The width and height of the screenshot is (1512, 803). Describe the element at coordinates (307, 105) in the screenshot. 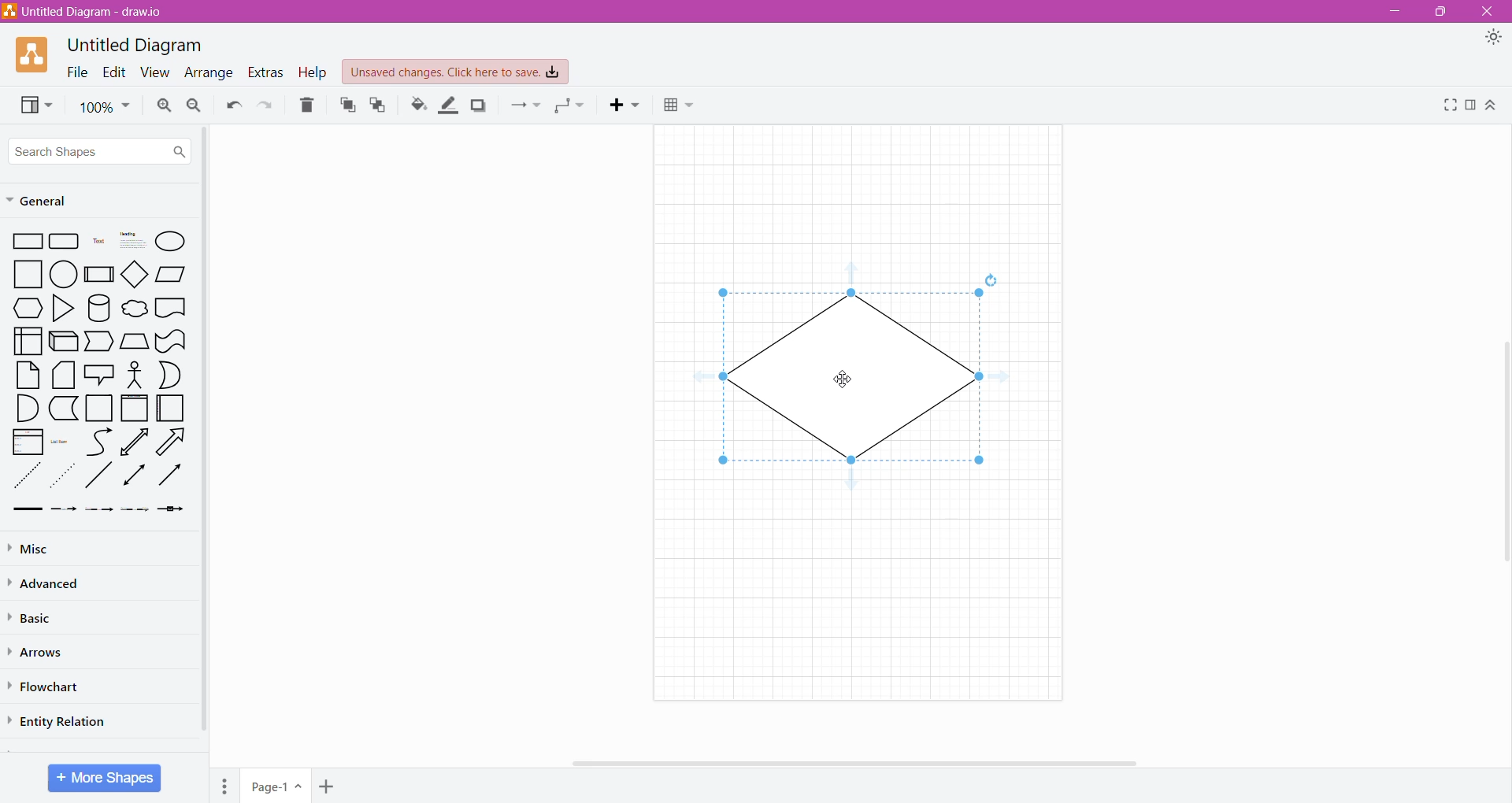

I see `Delete` at that location.